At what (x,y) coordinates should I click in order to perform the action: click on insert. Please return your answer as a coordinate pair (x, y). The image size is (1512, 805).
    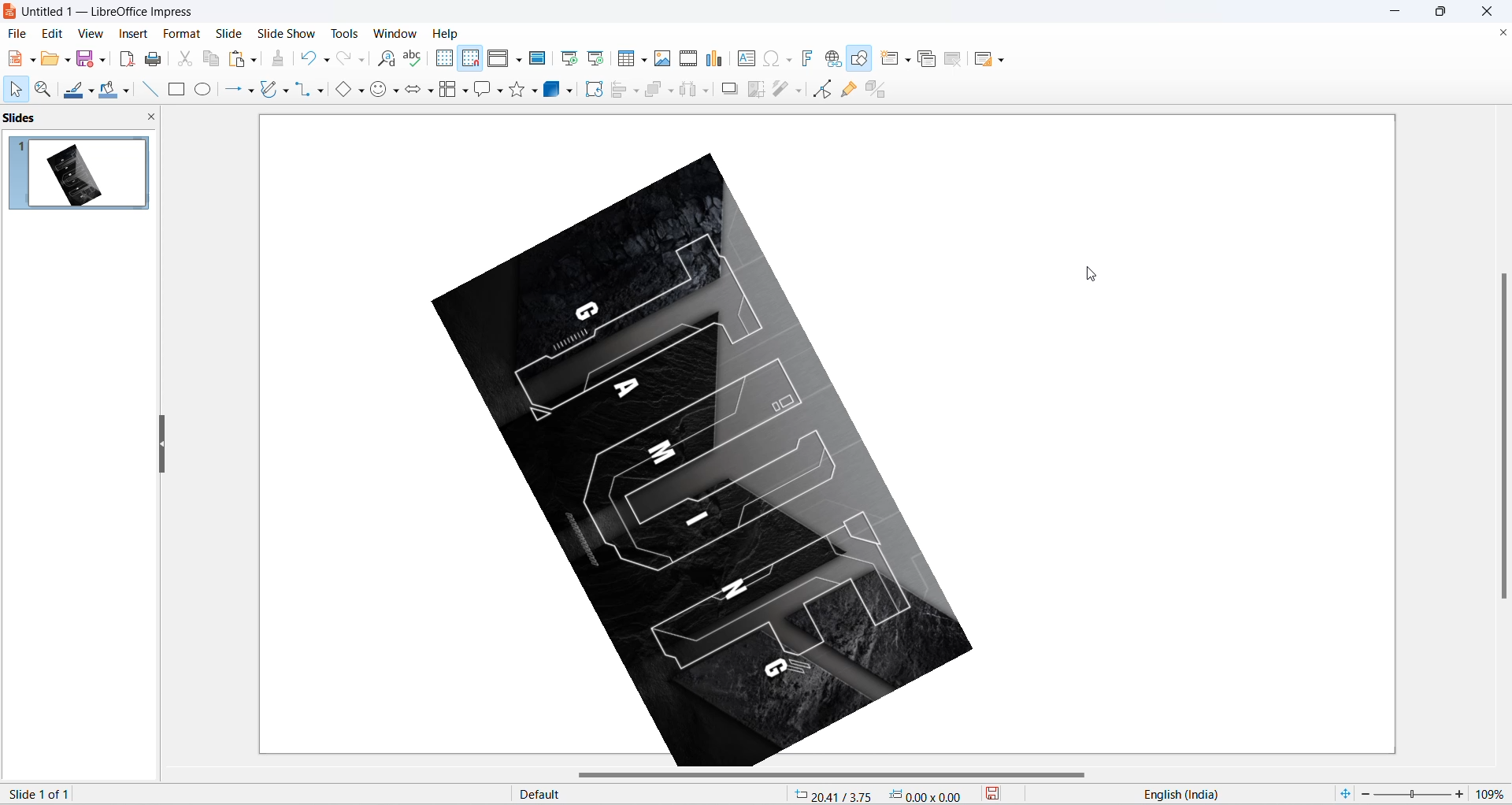
    Looking at the image, I should click on (132, 35).